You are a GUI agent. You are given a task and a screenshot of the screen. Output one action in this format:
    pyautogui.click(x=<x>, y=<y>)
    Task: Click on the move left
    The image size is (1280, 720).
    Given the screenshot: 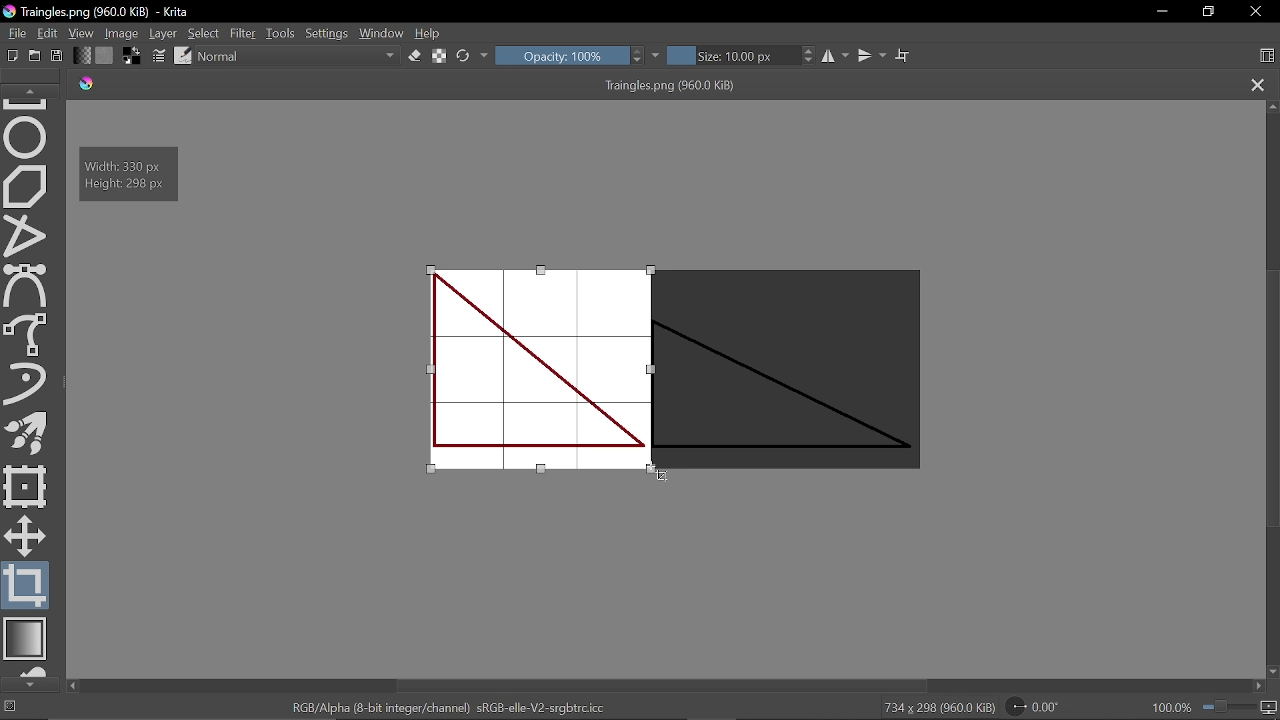 What is the action you would take?
    pyautogui.click(x=72, y=686)
    